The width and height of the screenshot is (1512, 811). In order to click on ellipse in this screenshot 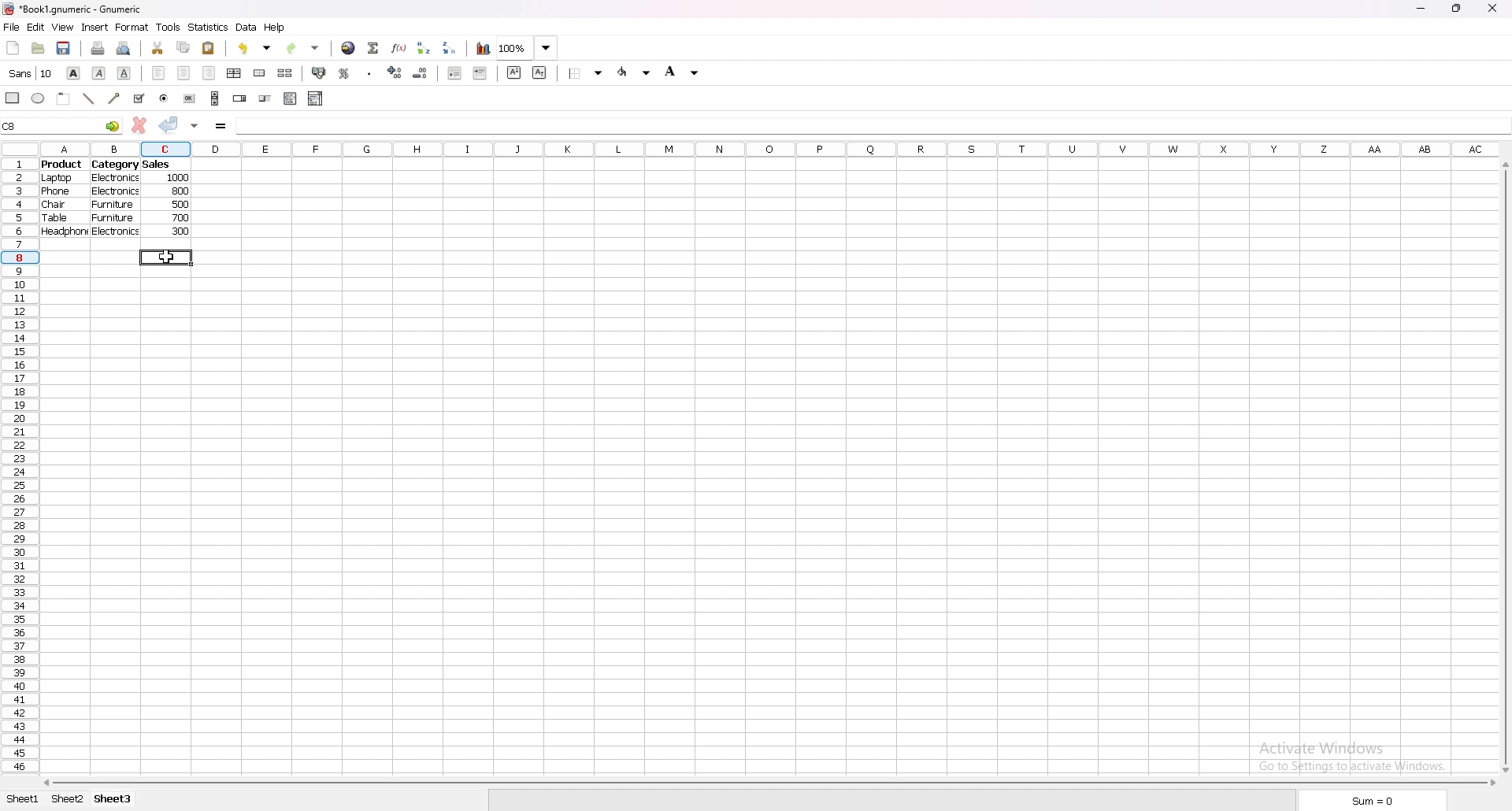, I will do `click(38, 98)`.